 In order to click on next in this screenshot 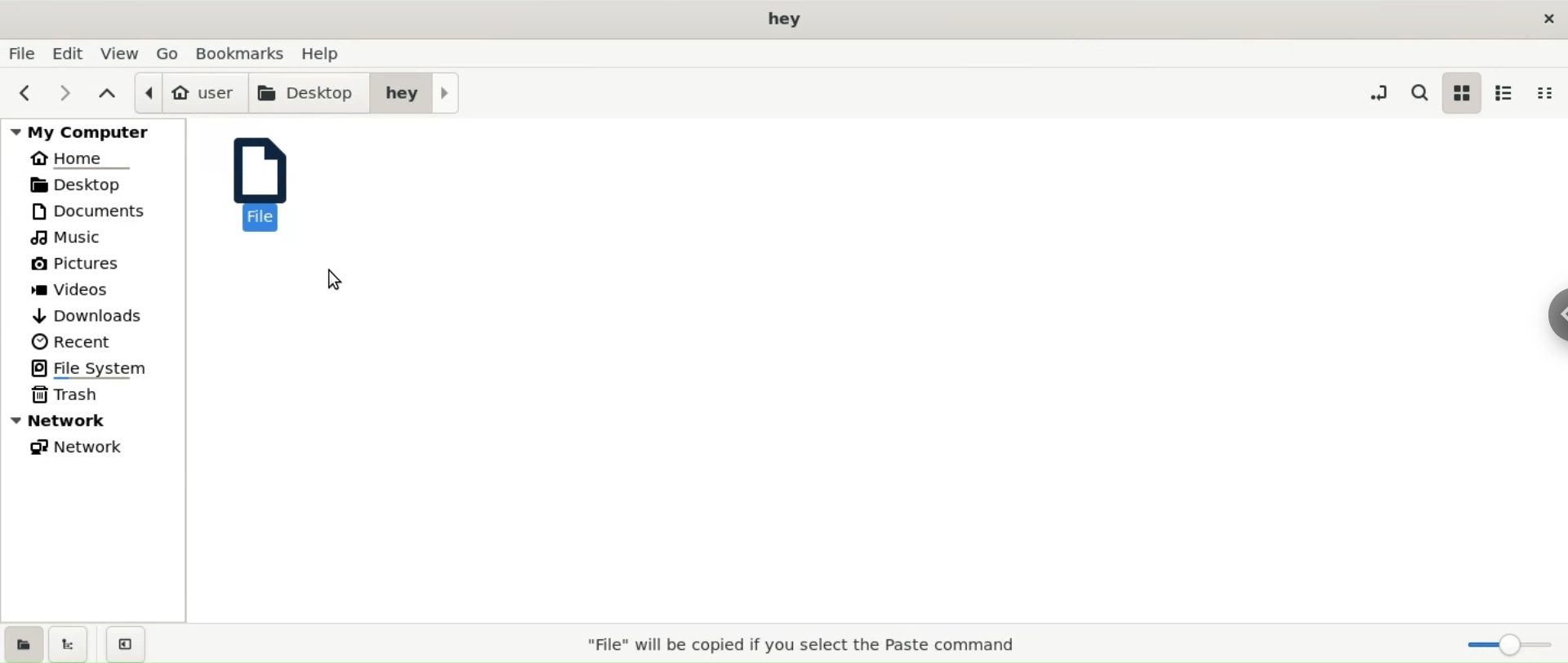, I will do `click(69, 92)`.